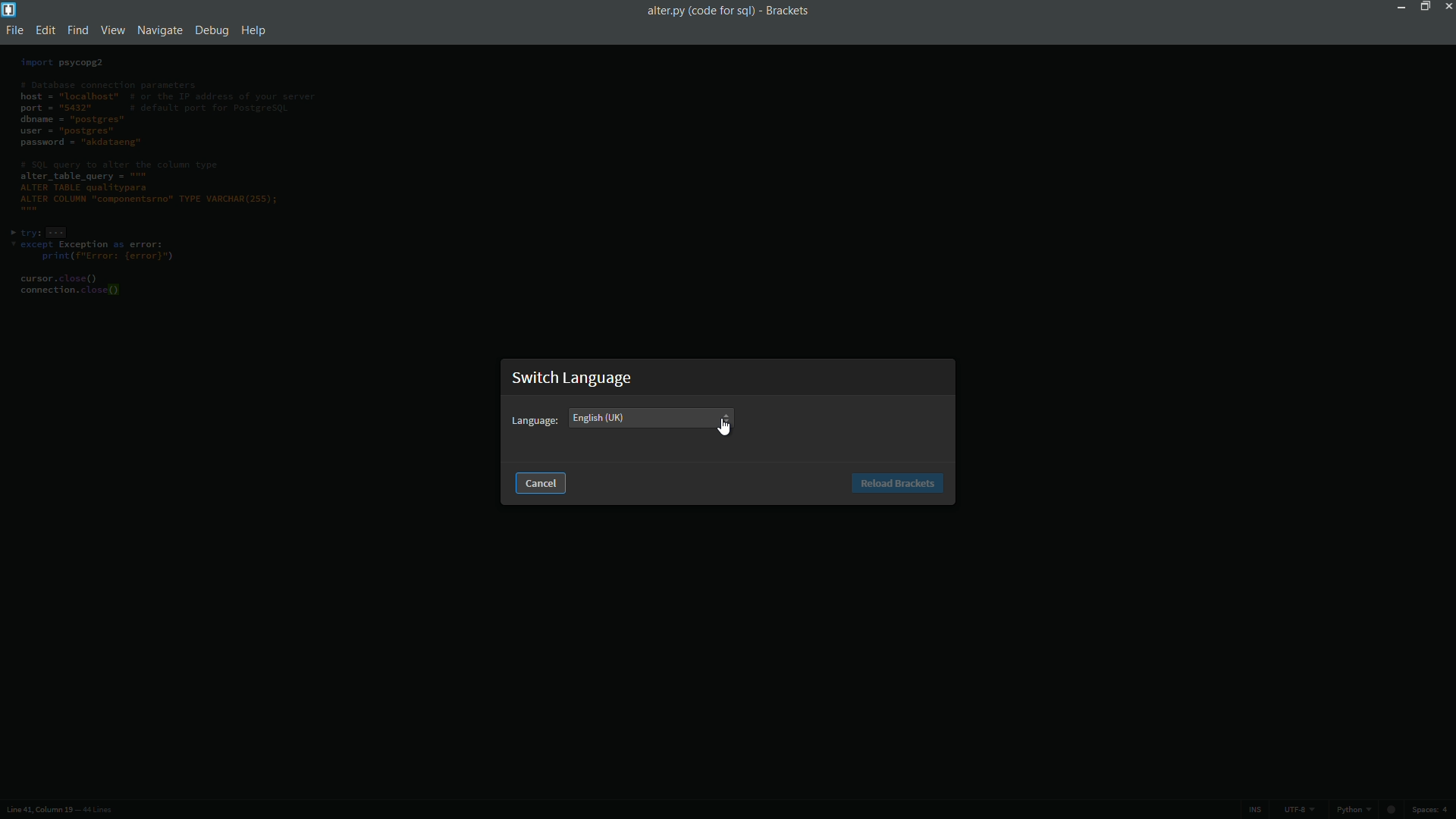  What do you see at coordinates (1423, 8) in the screenshot?
I see `maximize` at bounding box center [1423, 8].